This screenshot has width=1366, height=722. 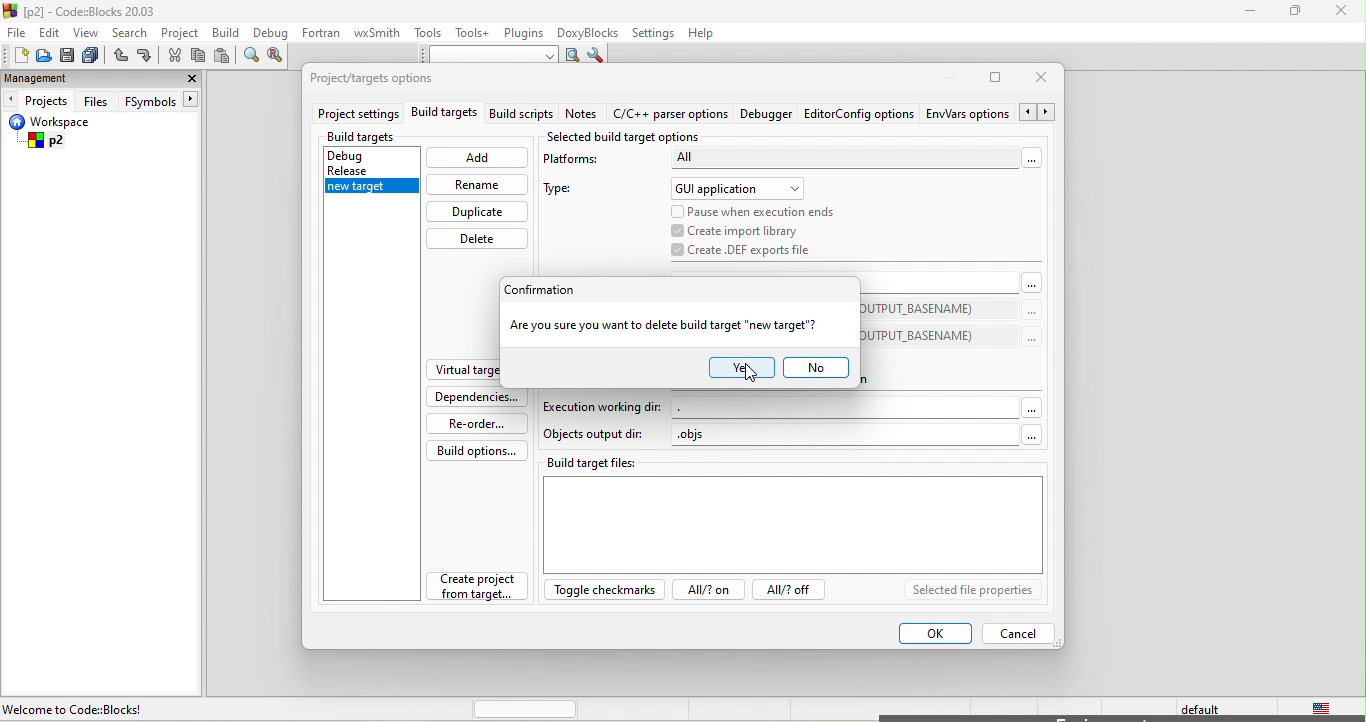 I want to click on re order, so click(x=473, y=423).